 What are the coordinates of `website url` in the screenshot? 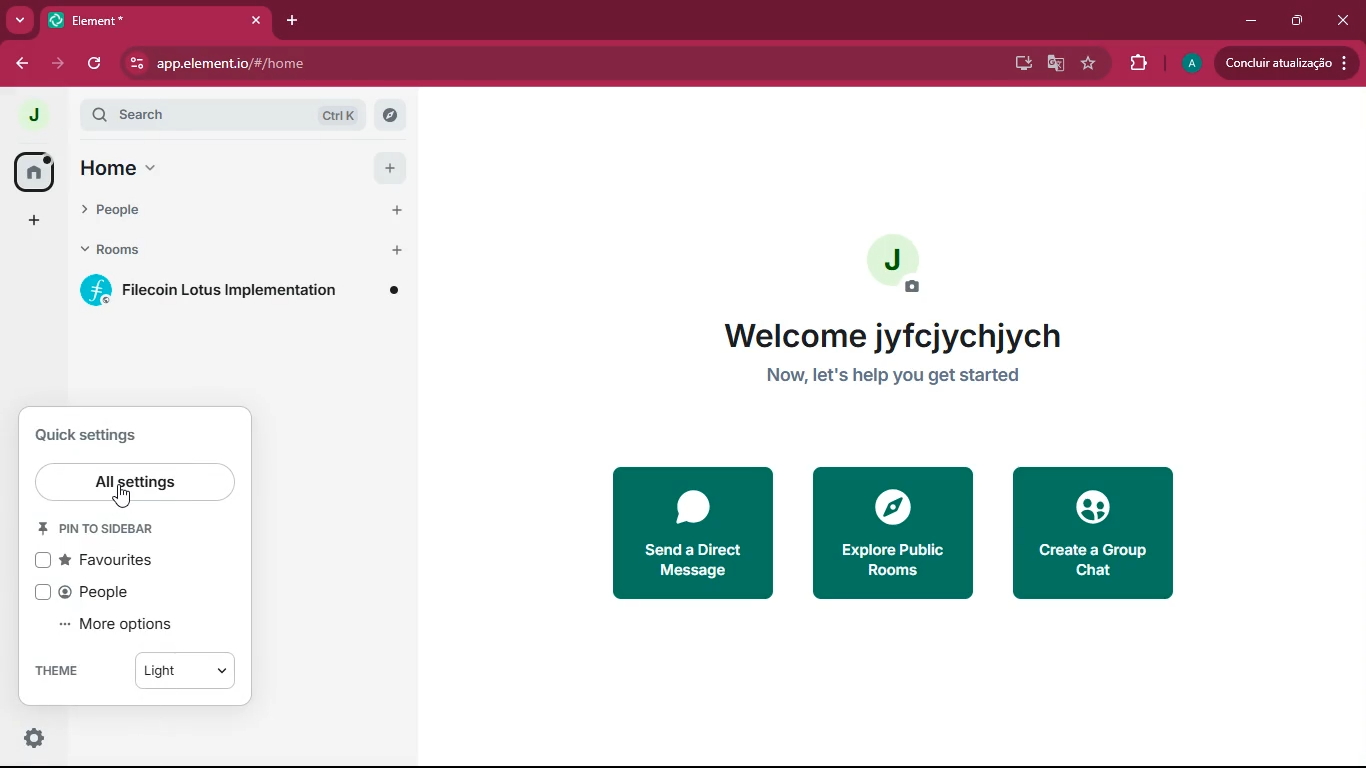 It's located at (337, 65).